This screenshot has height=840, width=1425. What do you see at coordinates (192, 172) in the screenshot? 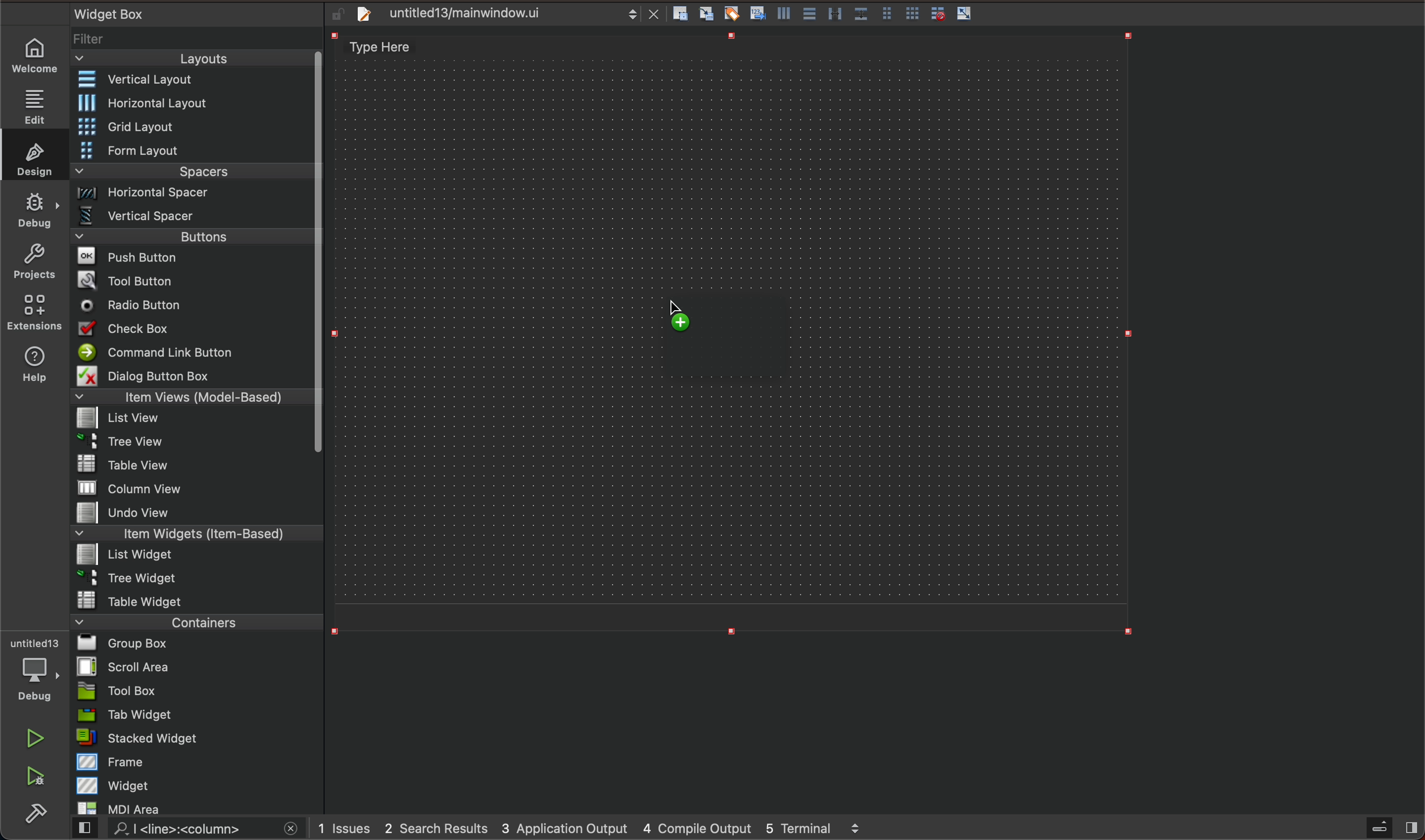
I see `spacers` at bounding box center [192, 172].